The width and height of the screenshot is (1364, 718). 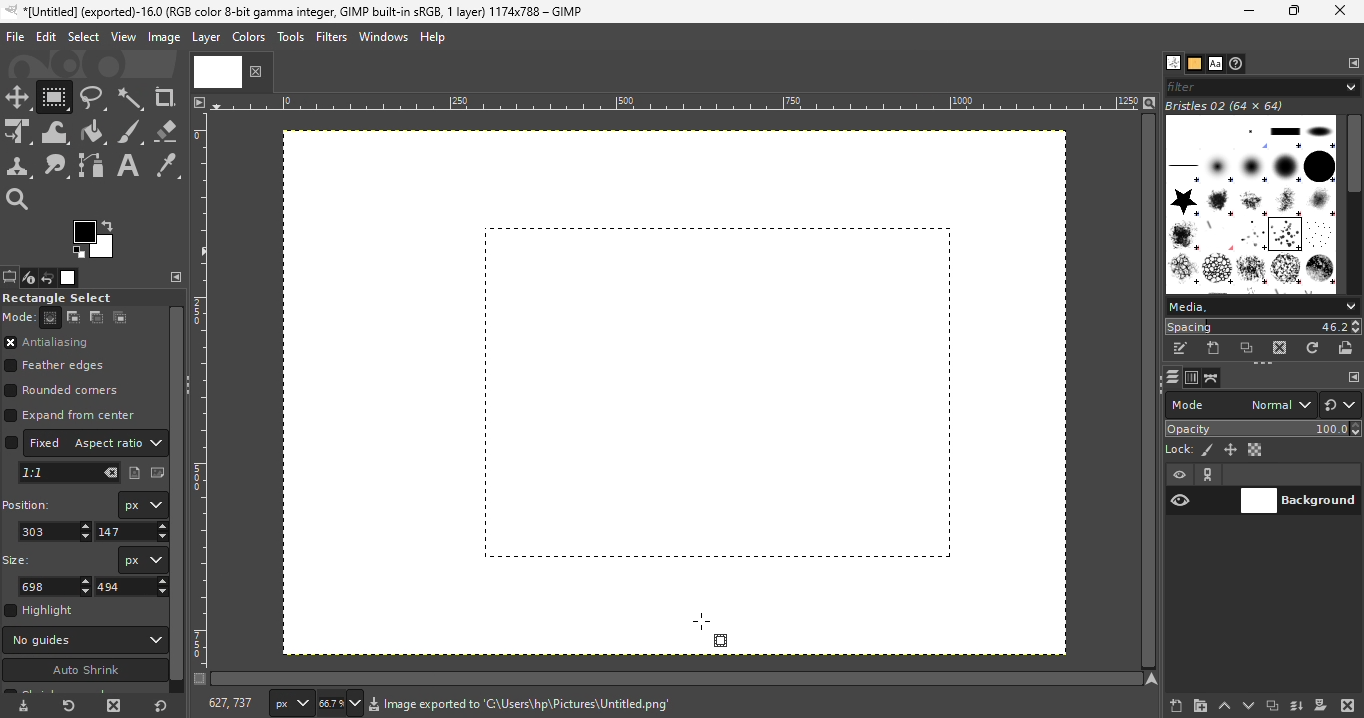 I want to click on Filter, so click(x=1261, y=85).